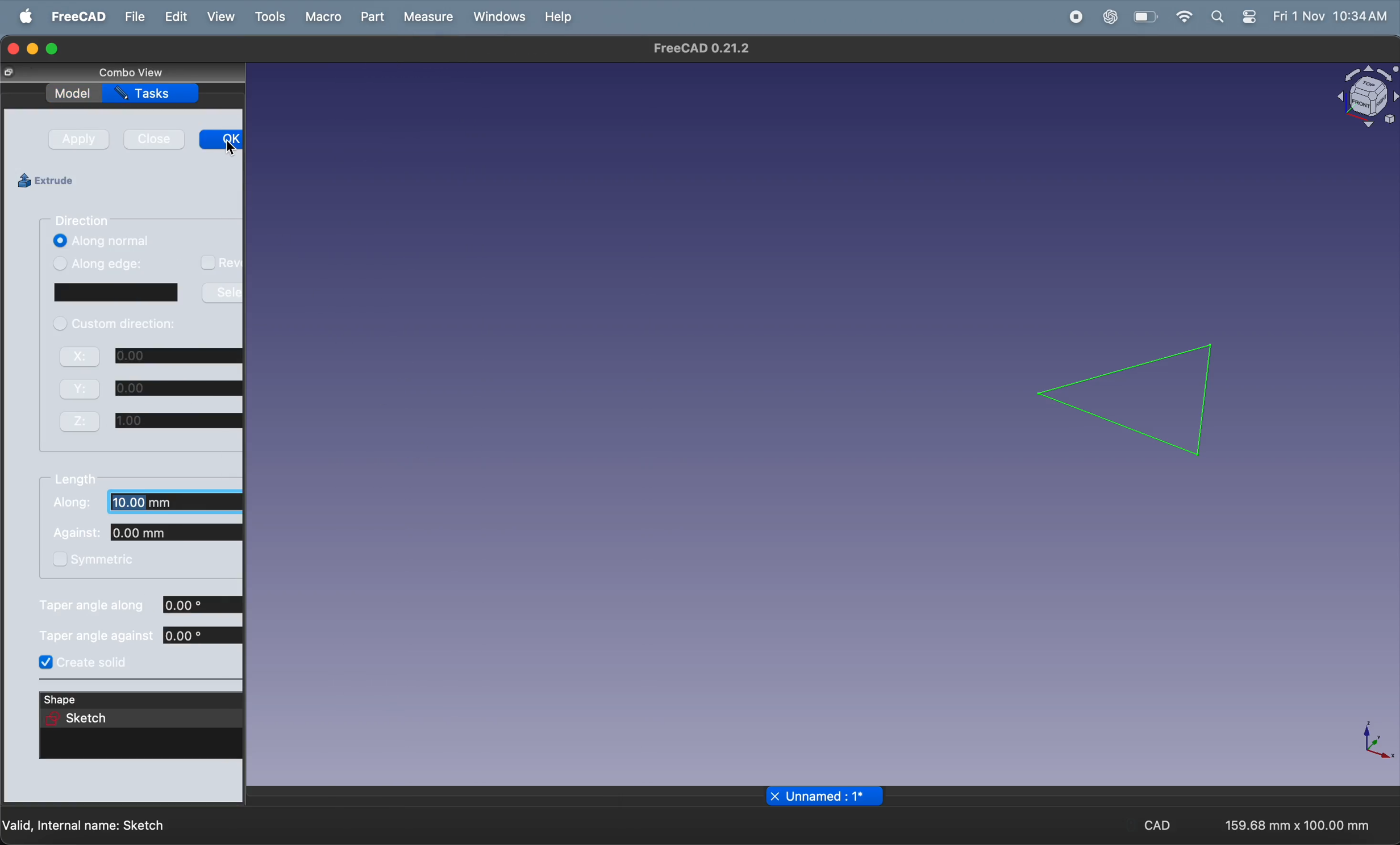  I want to click on Unnamed: 1*, so click(827, 797).